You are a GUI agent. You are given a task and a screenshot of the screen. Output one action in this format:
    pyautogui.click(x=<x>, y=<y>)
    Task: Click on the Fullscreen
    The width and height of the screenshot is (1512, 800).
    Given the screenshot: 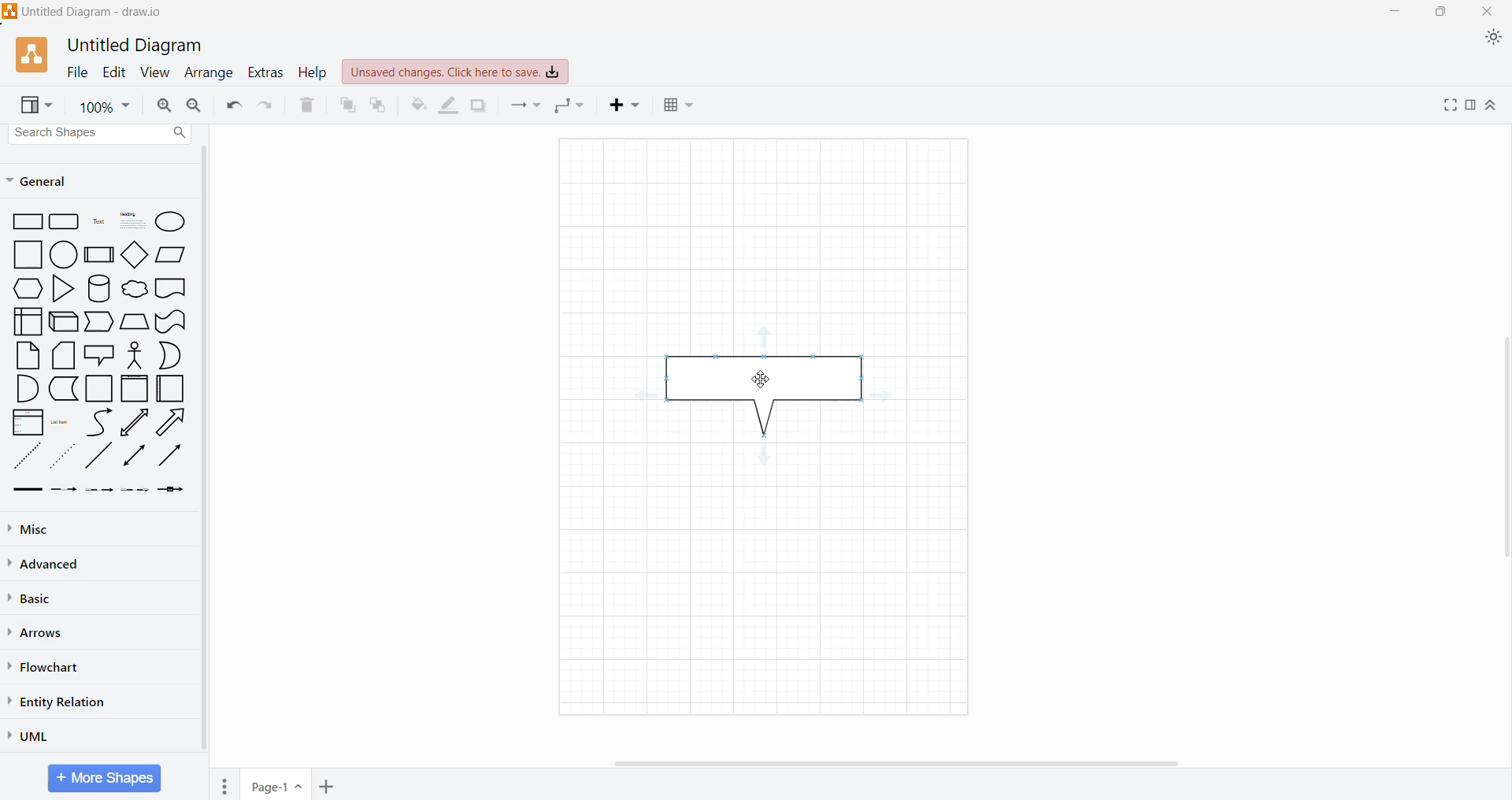 What is the action you would take?
    pyautogui.click(x=1449, y=105)
    